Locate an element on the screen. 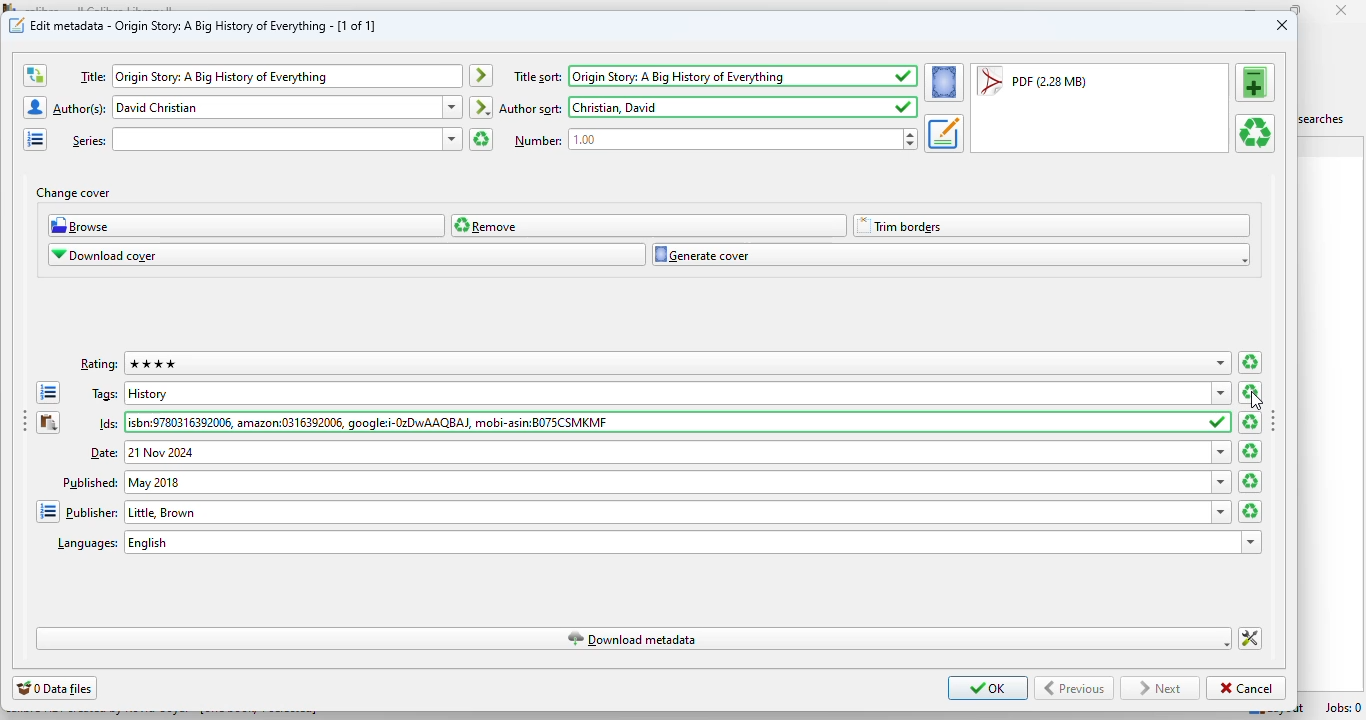 This screenshot has height=720, width=1366. generate cover is located at coordinates (951, 254).